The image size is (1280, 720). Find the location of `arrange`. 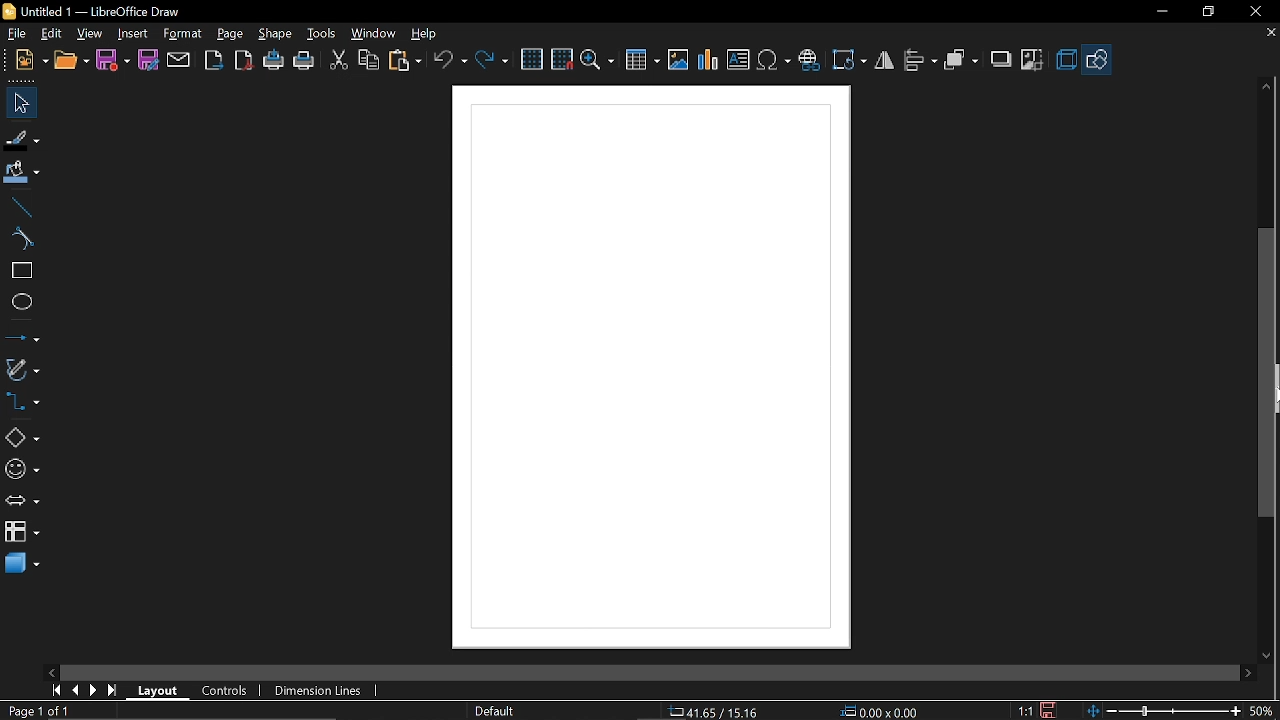

arrange is located at coordinates (959, 60).